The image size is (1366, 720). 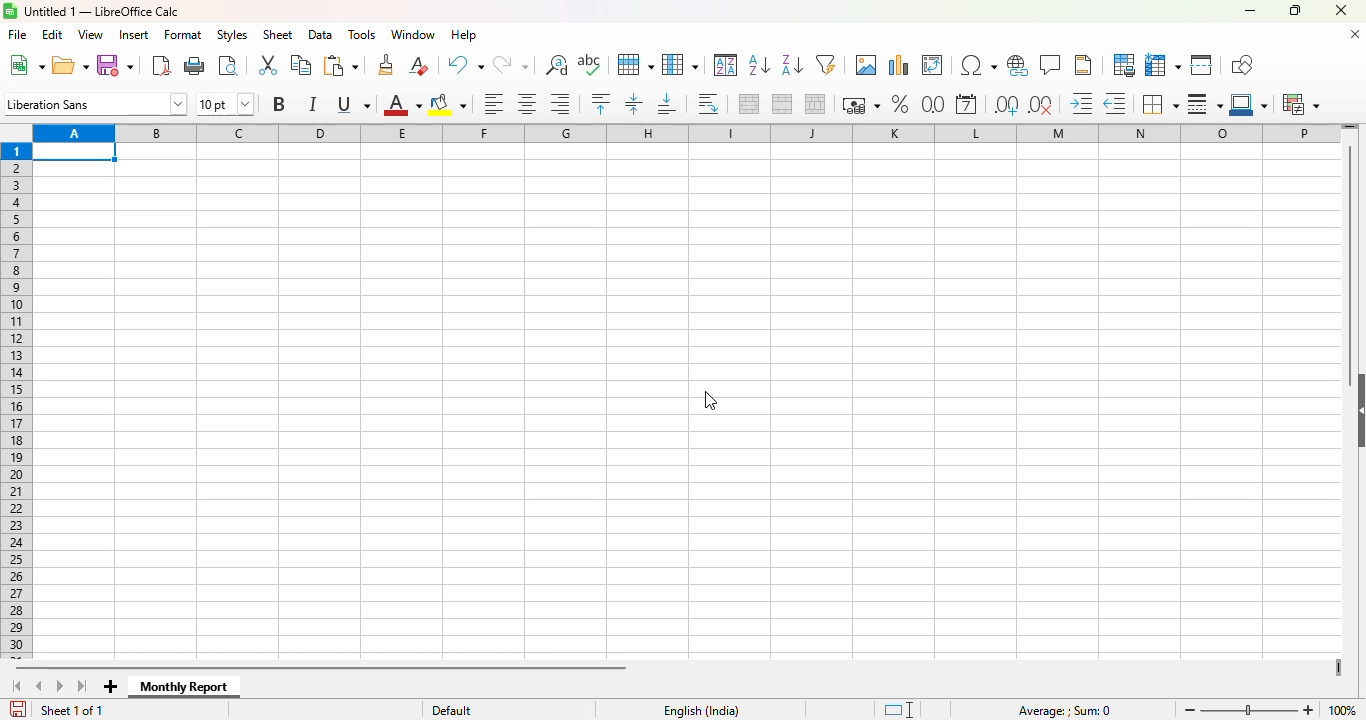 I want to click on redo, so click(x=511, y=65).